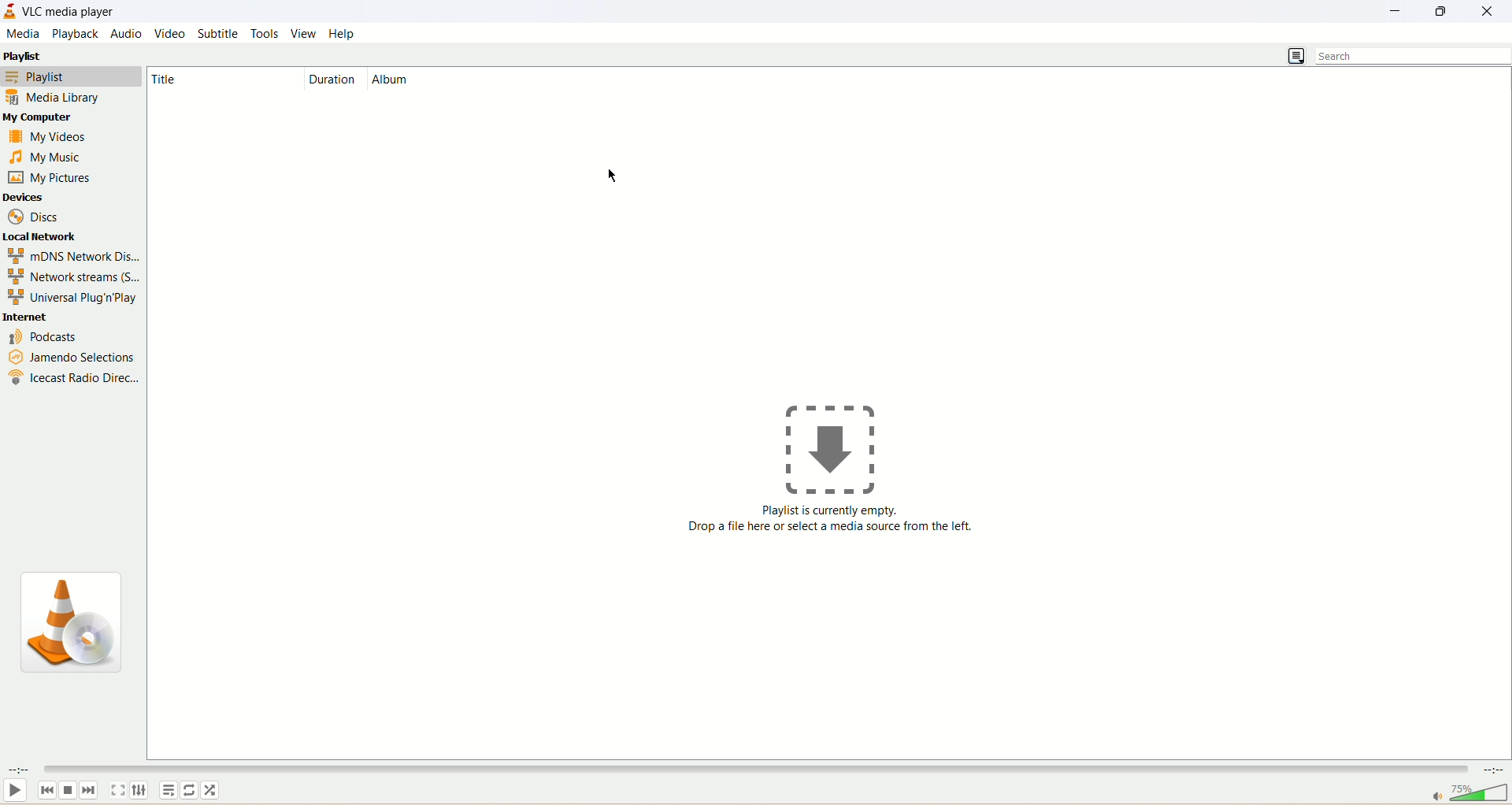 This screenshot has height=805, width=1512. I want to click on jamendo selection, so click(72, 358).